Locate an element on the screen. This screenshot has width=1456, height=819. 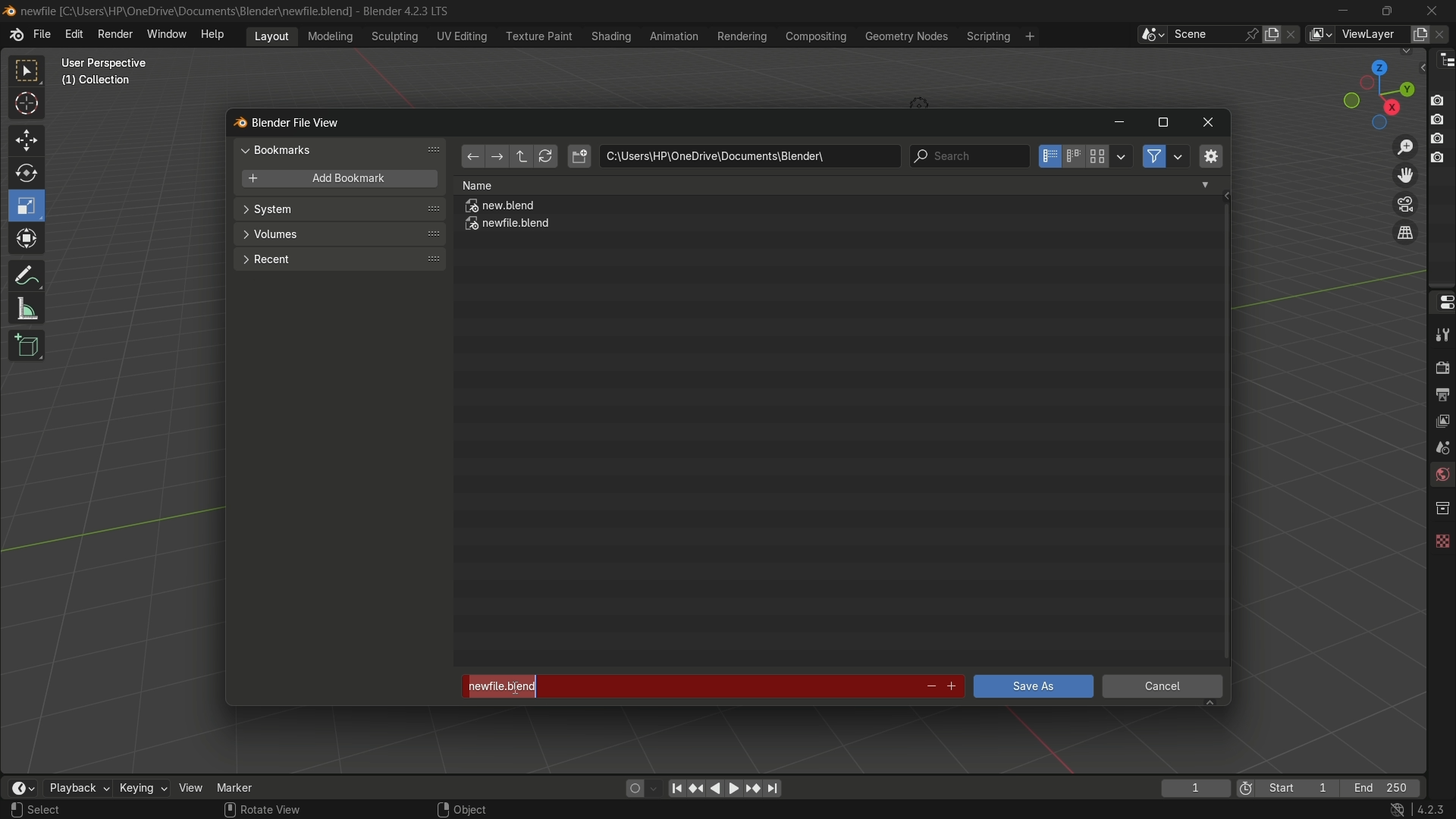
newfile.blend is located at coordinates (684, 686).